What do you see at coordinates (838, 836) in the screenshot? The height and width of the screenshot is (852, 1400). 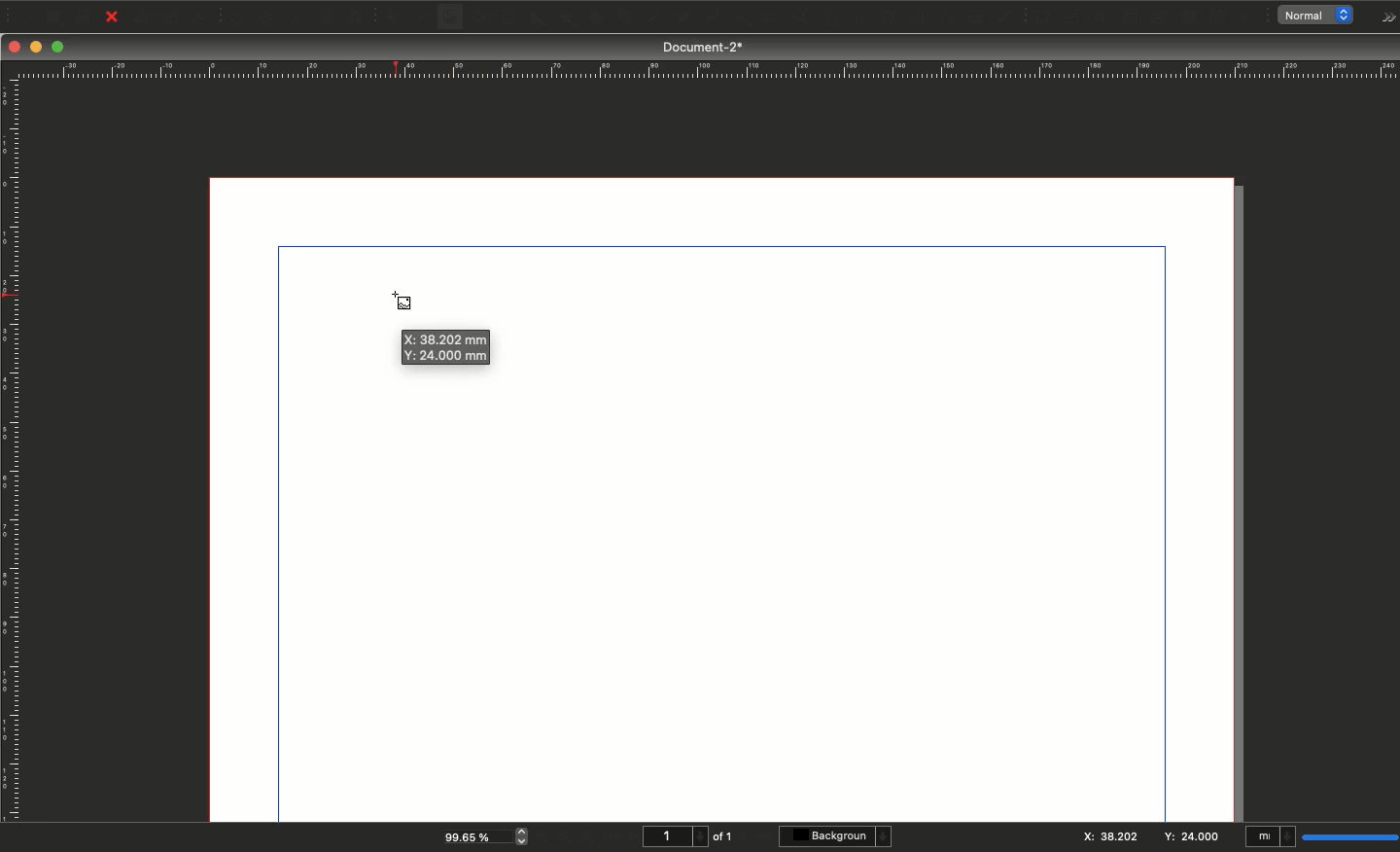 I see `Background` at bounding box center [838, 836].